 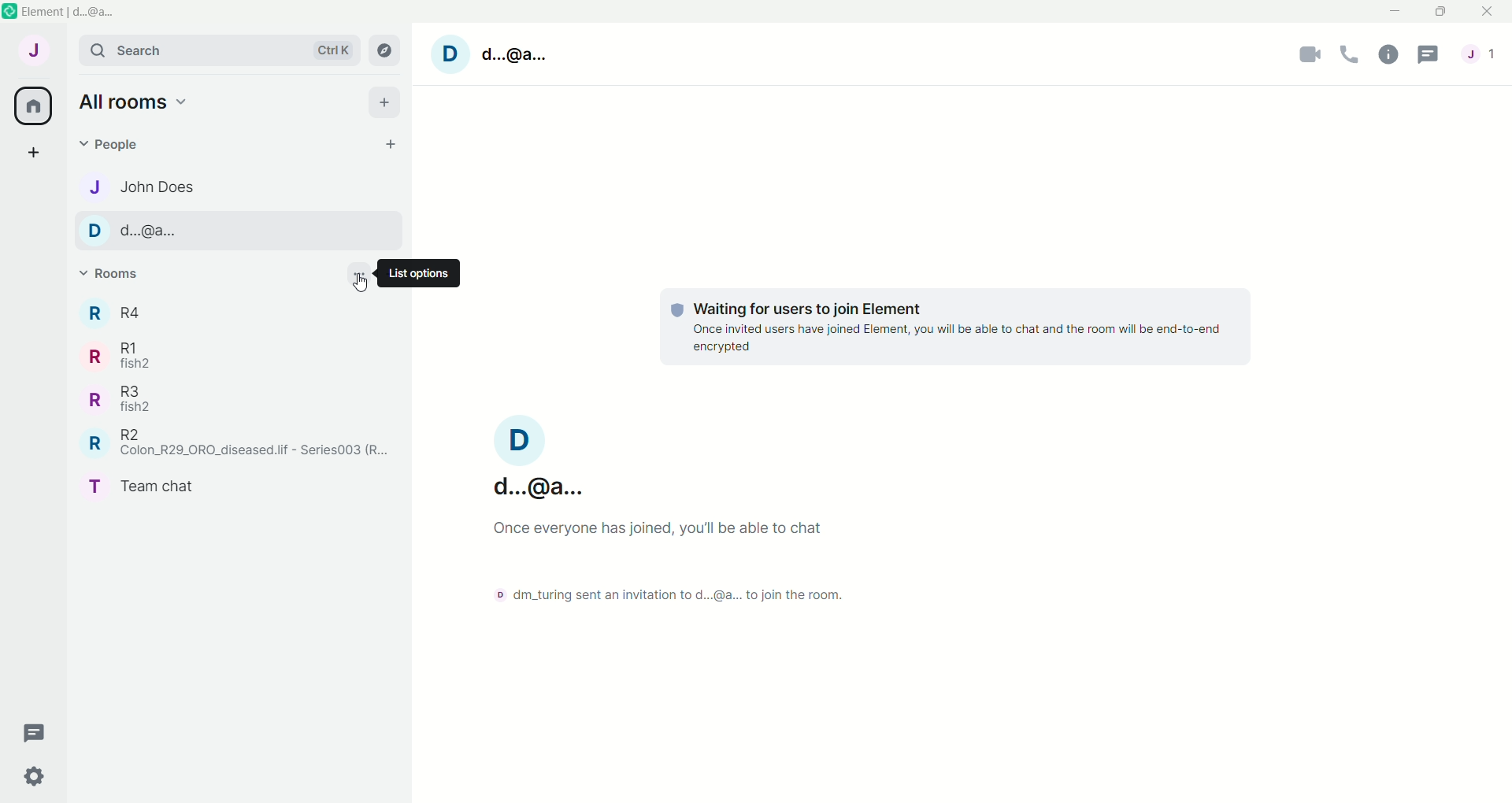 What do you see at coordinates (1440, 12) in the screenshot?
I see `Maximize` at bounding box center [1440, 12].